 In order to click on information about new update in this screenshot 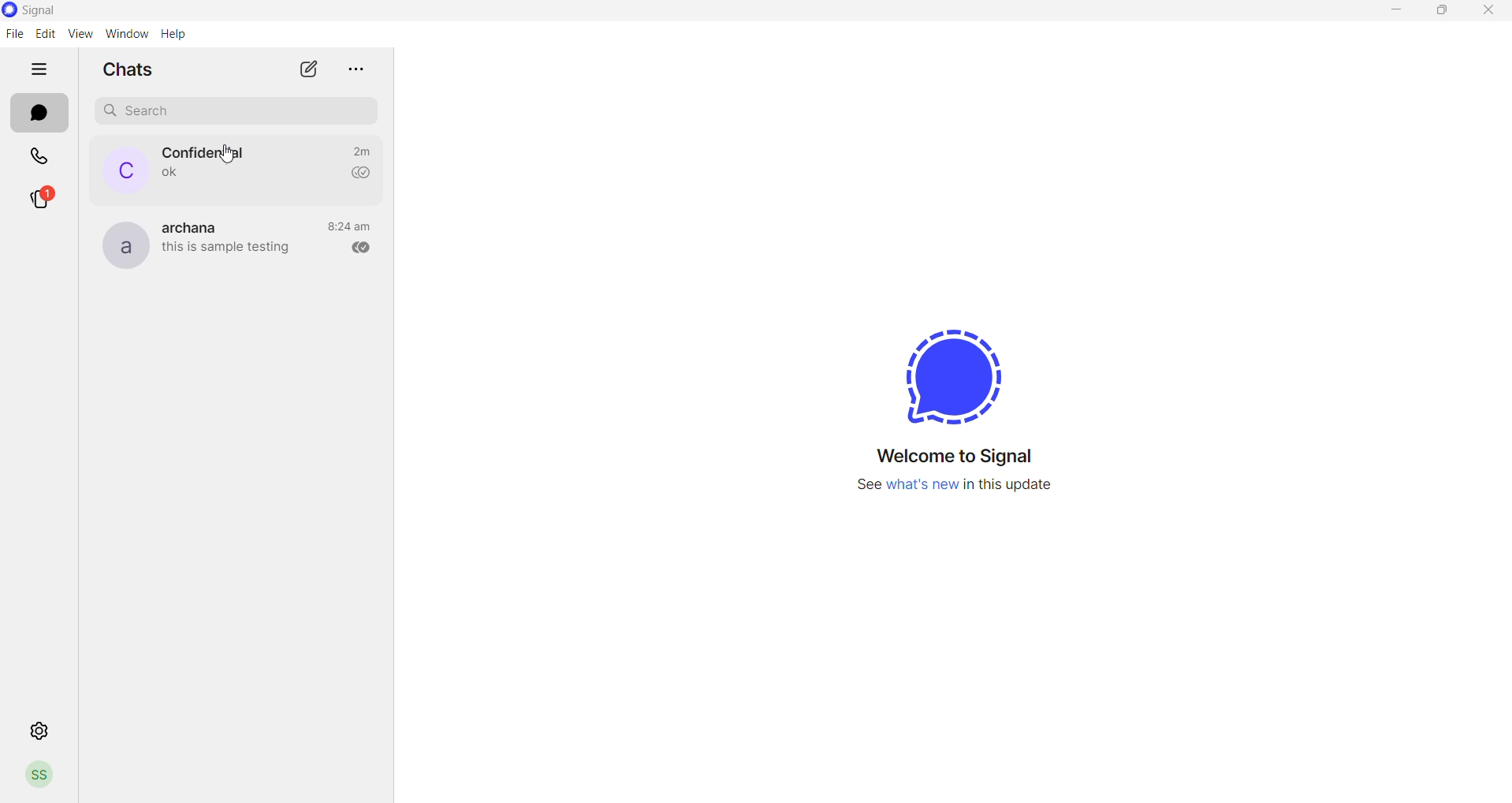, I will do `click(957, 489)`.